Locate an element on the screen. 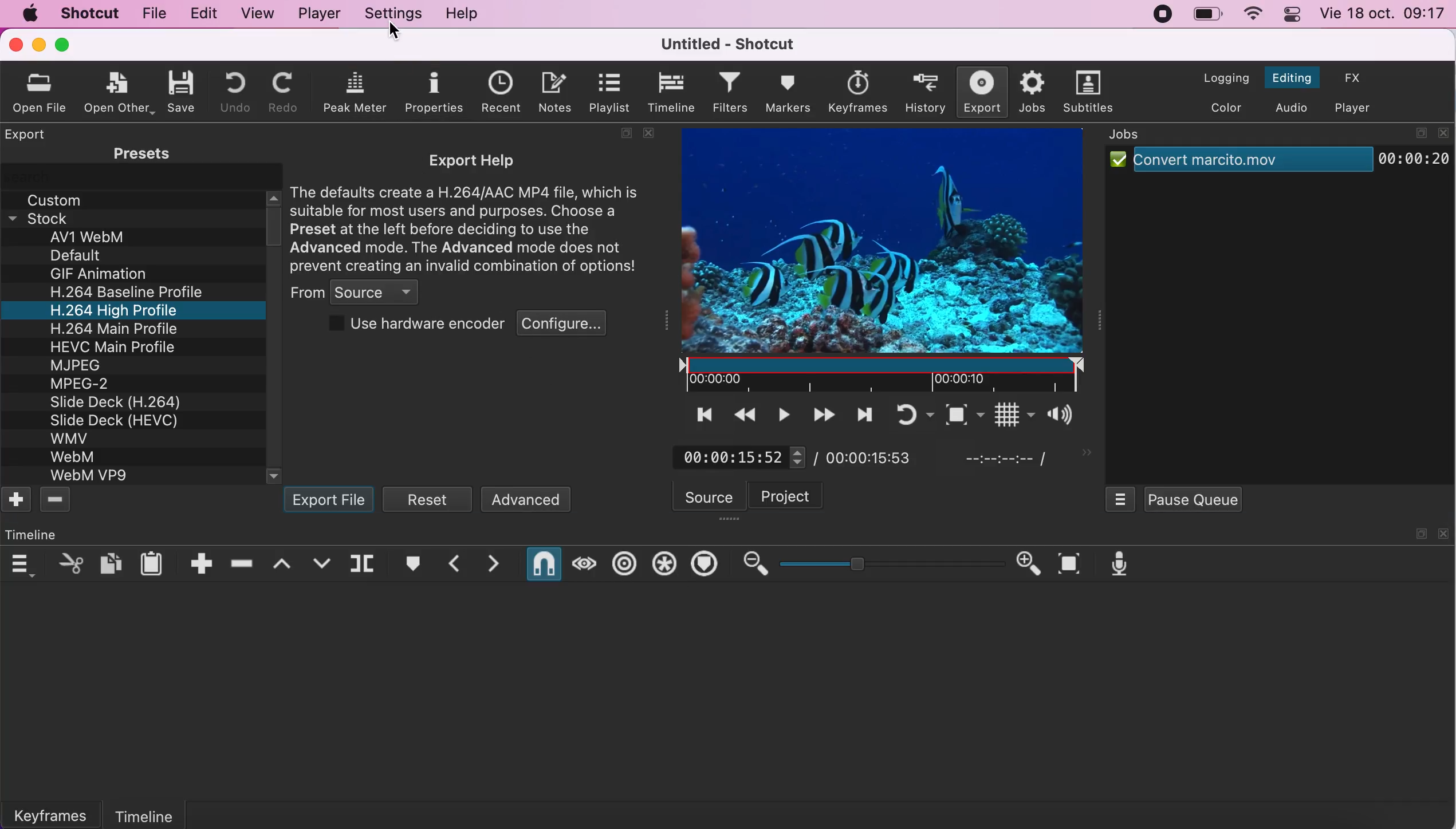  append is located at coordinates (200, 563).